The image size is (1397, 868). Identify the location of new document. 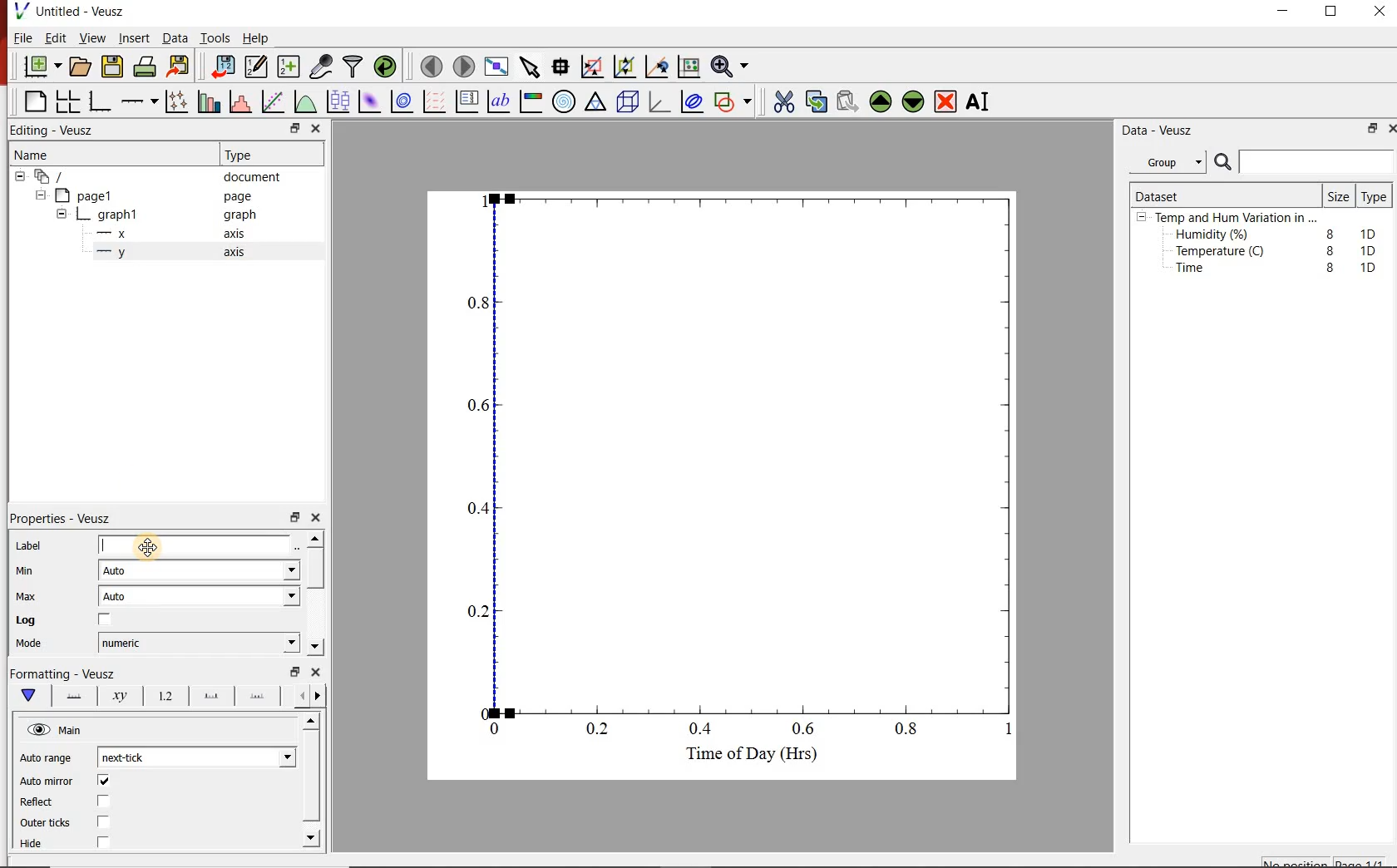
(41, 67).